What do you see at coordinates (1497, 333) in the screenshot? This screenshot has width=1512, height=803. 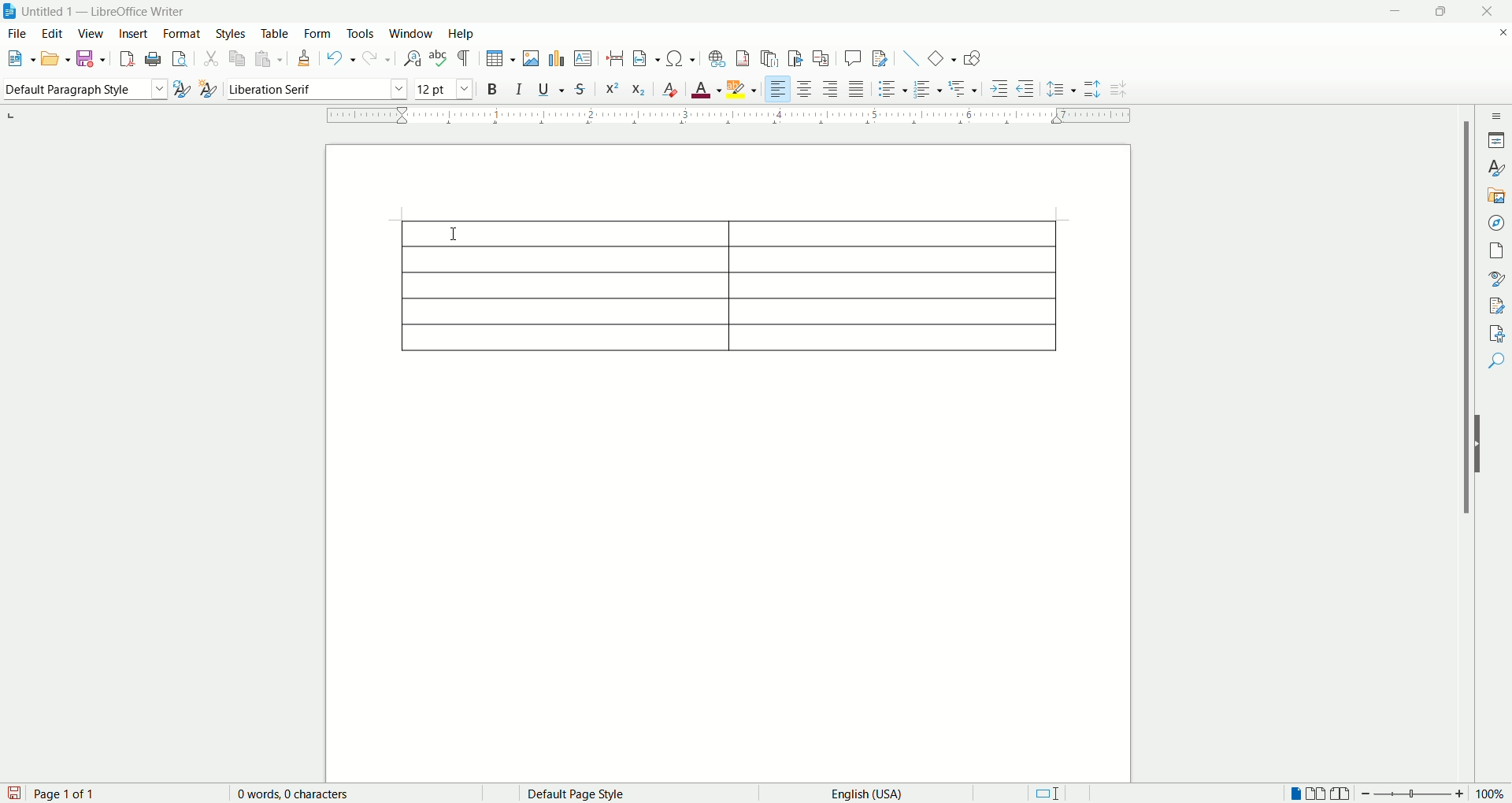 I see `accessibility check` at bounding box center [1497, 333].